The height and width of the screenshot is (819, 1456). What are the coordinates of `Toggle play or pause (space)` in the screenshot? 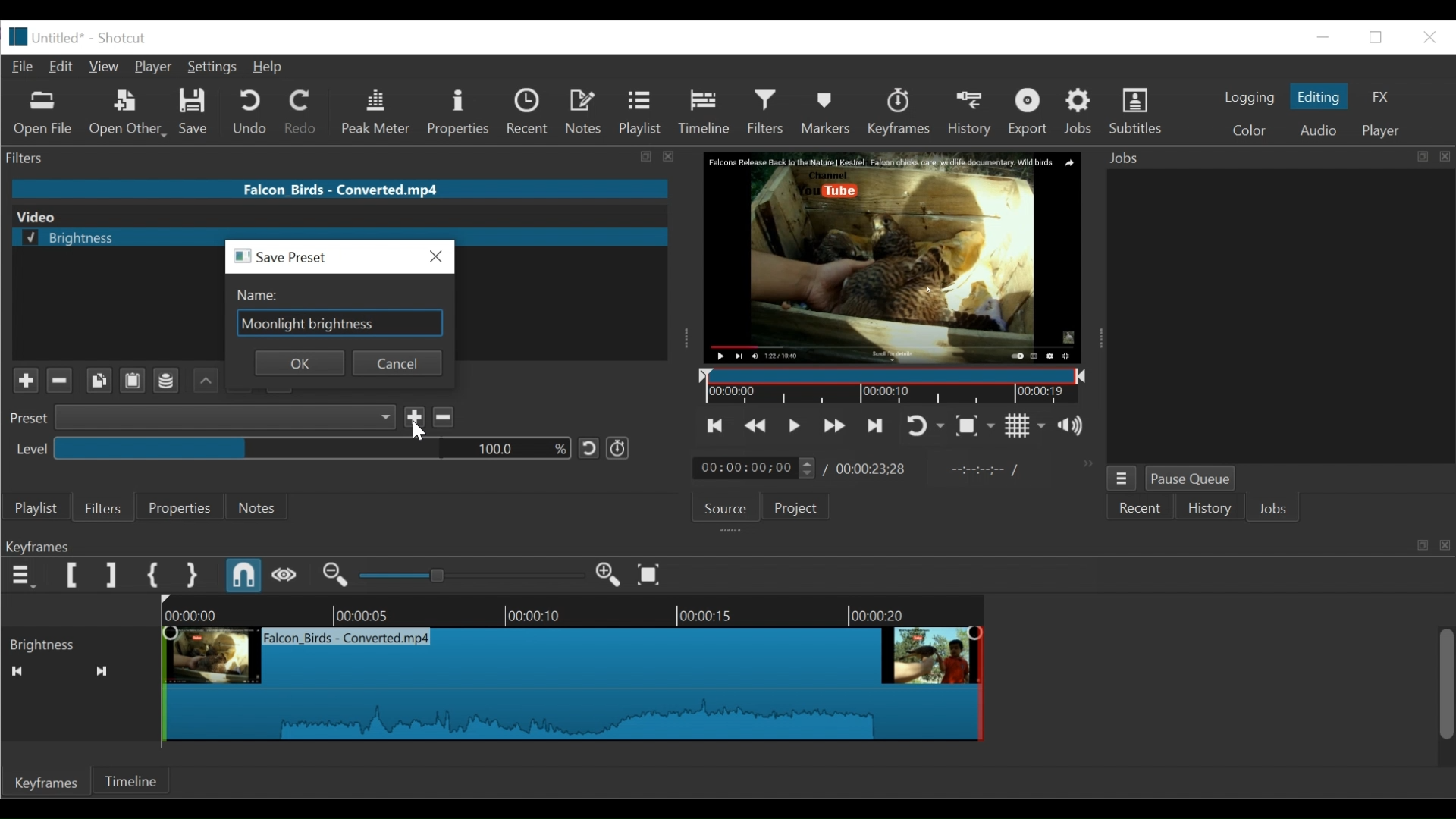 It's located at (794, 425).